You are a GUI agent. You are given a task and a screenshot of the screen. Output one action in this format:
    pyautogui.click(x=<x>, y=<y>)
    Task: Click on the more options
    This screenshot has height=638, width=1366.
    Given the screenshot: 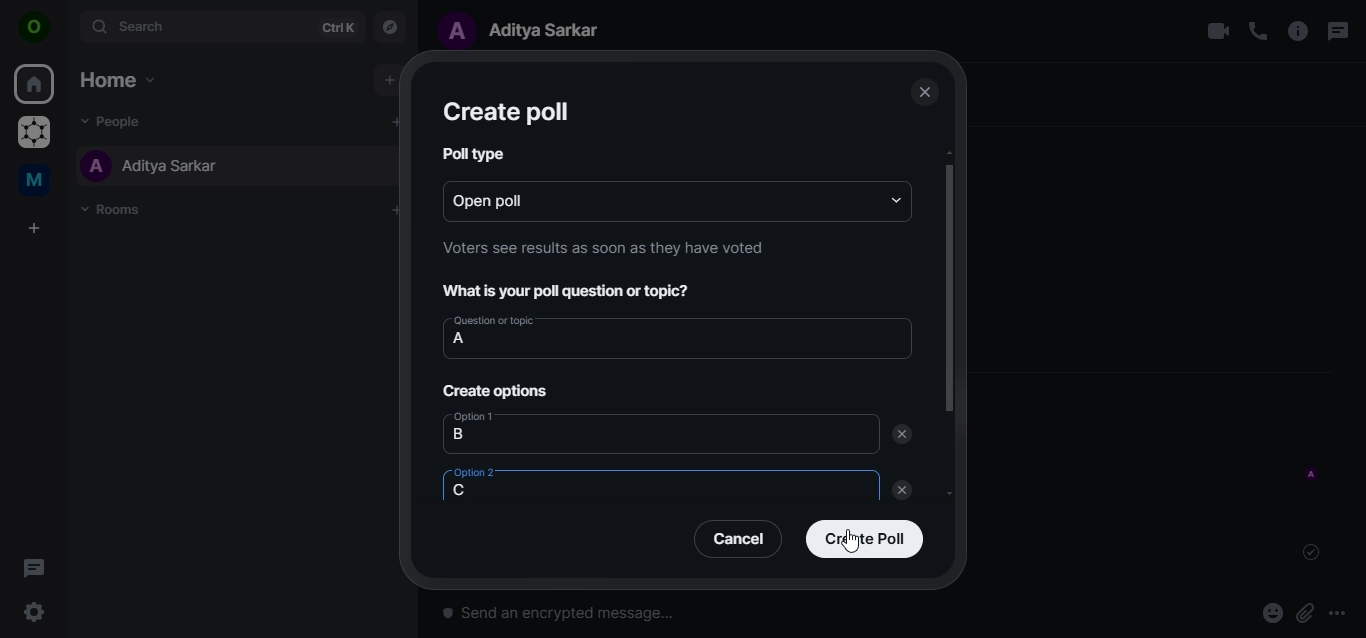 What is the action you would take?
    pyautogui.click(x=1344, y=613)
    